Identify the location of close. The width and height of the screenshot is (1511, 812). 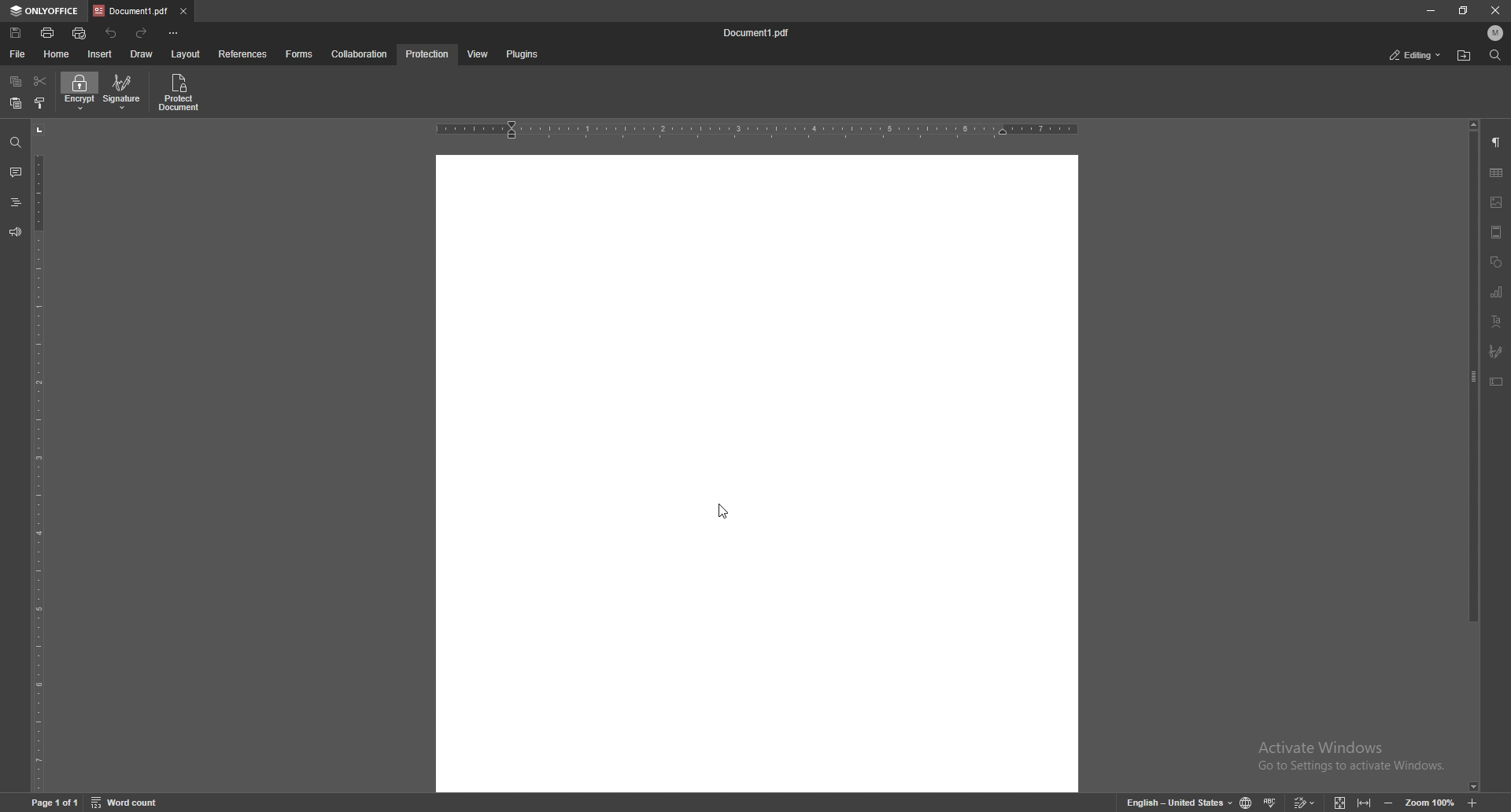
(1495, 12).